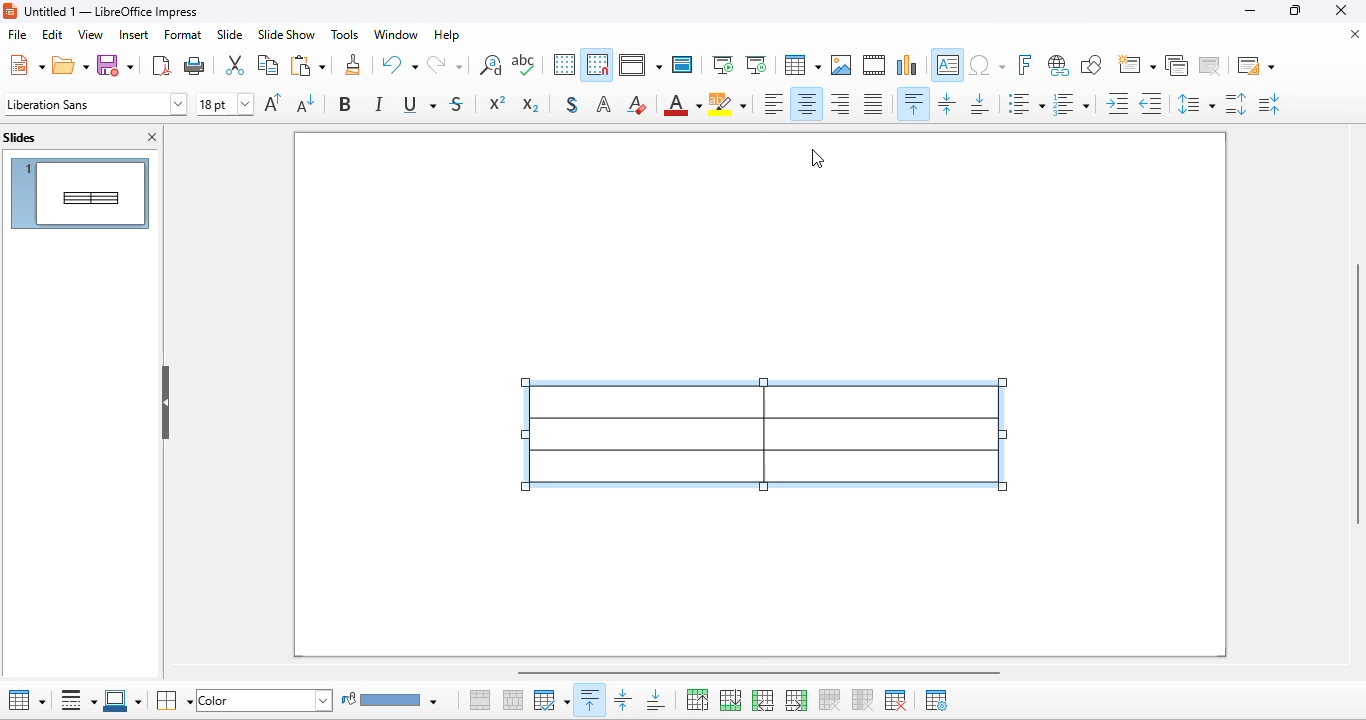  What do you see at coordinates (873, 103) in the screenshot?
I see `justified` at bounding box center [873, 103].